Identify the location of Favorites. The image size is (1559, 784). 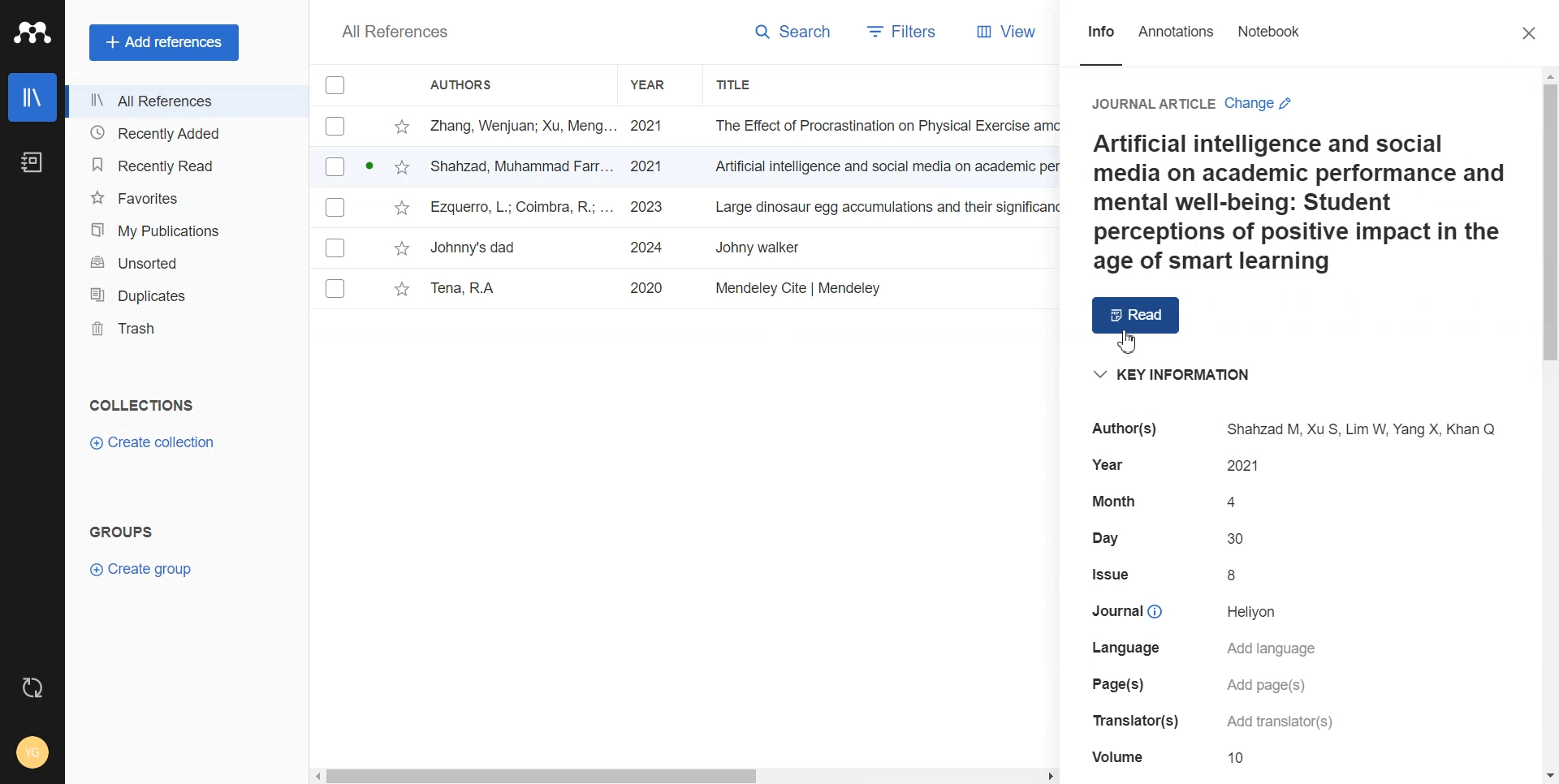
(183, 196).